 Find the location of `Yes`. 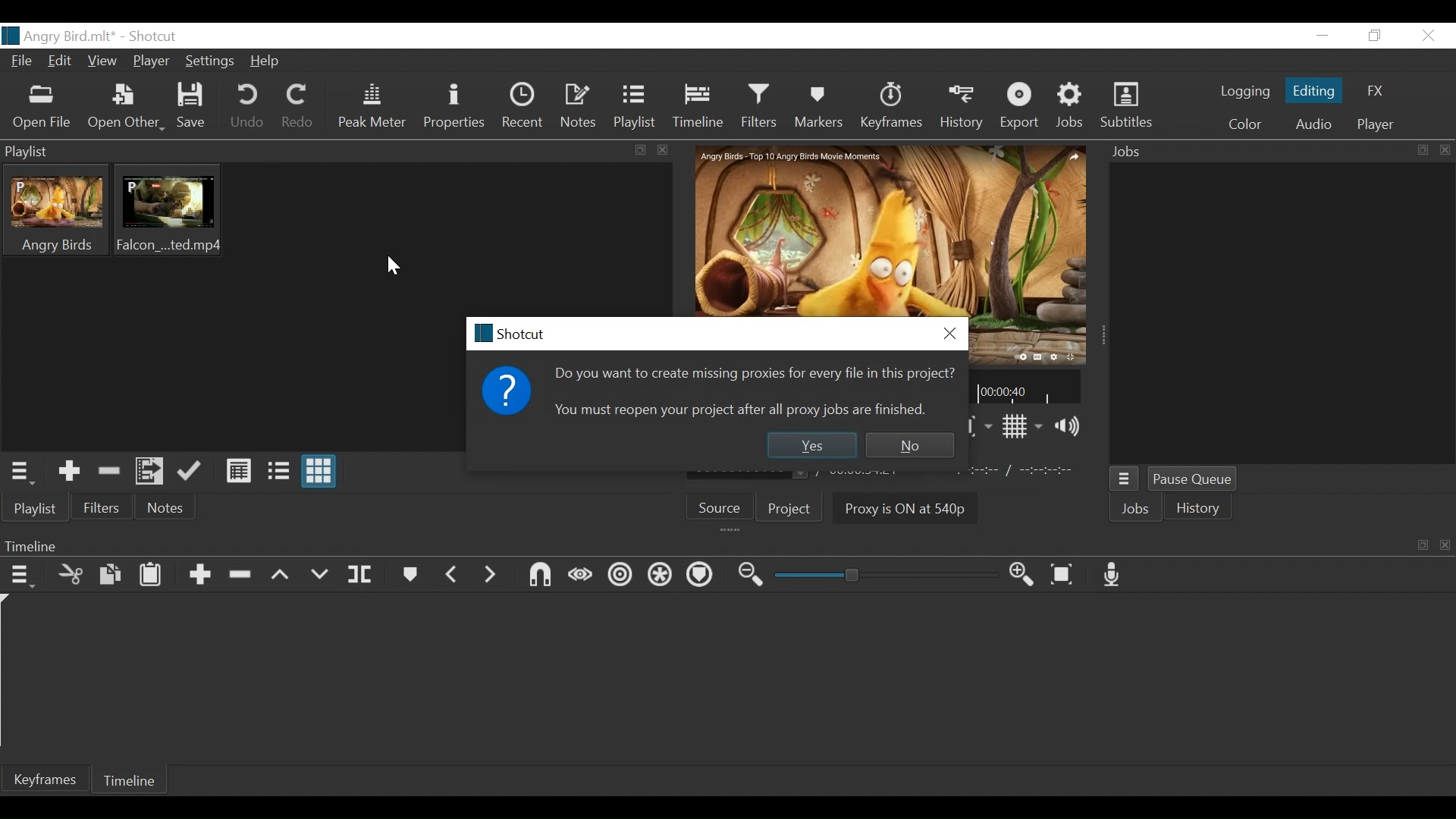

Yes is located at coordinates (812, 445).